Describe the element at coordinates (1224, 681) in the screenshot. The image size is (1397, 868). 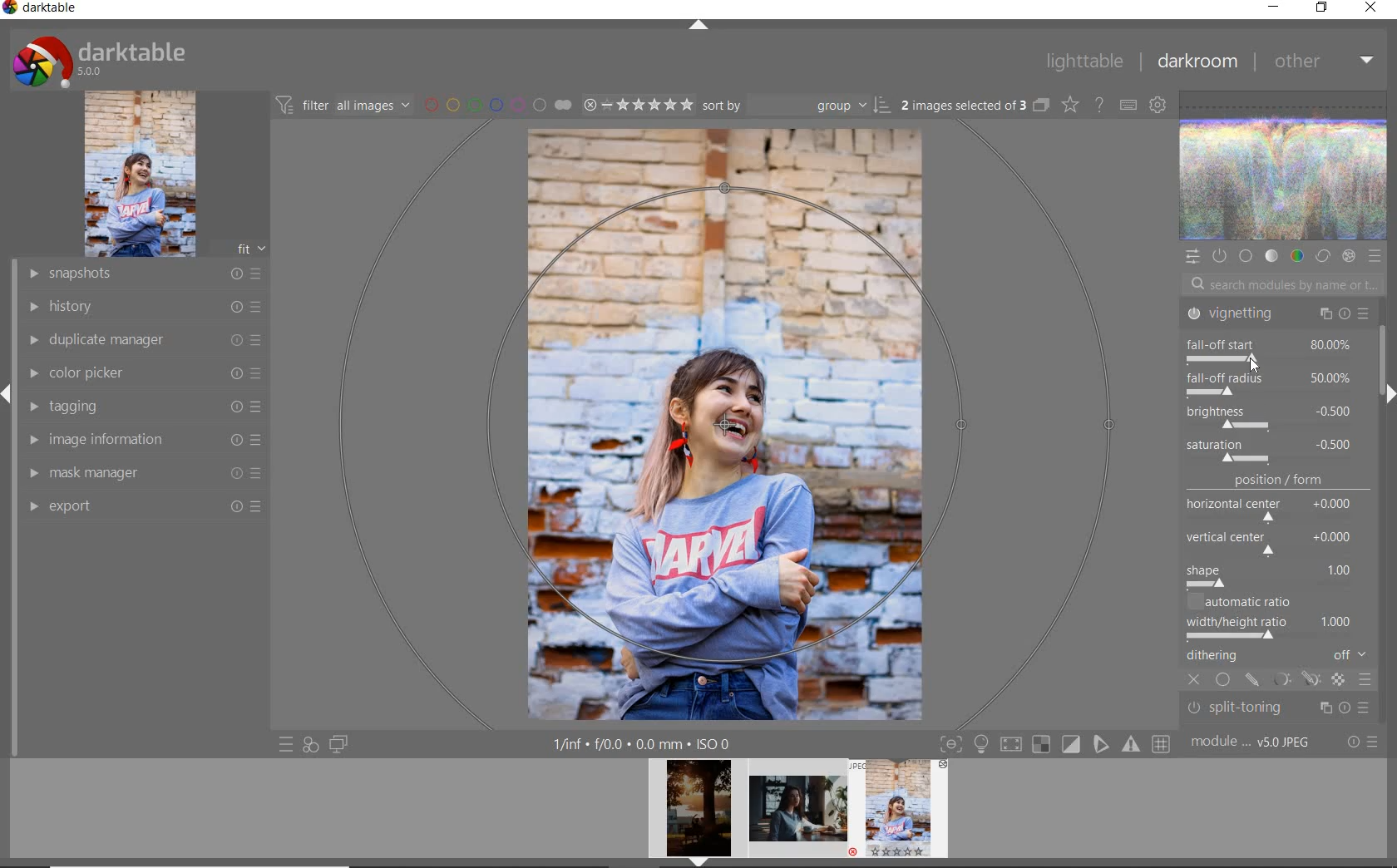
I see `uniformly` at that location.